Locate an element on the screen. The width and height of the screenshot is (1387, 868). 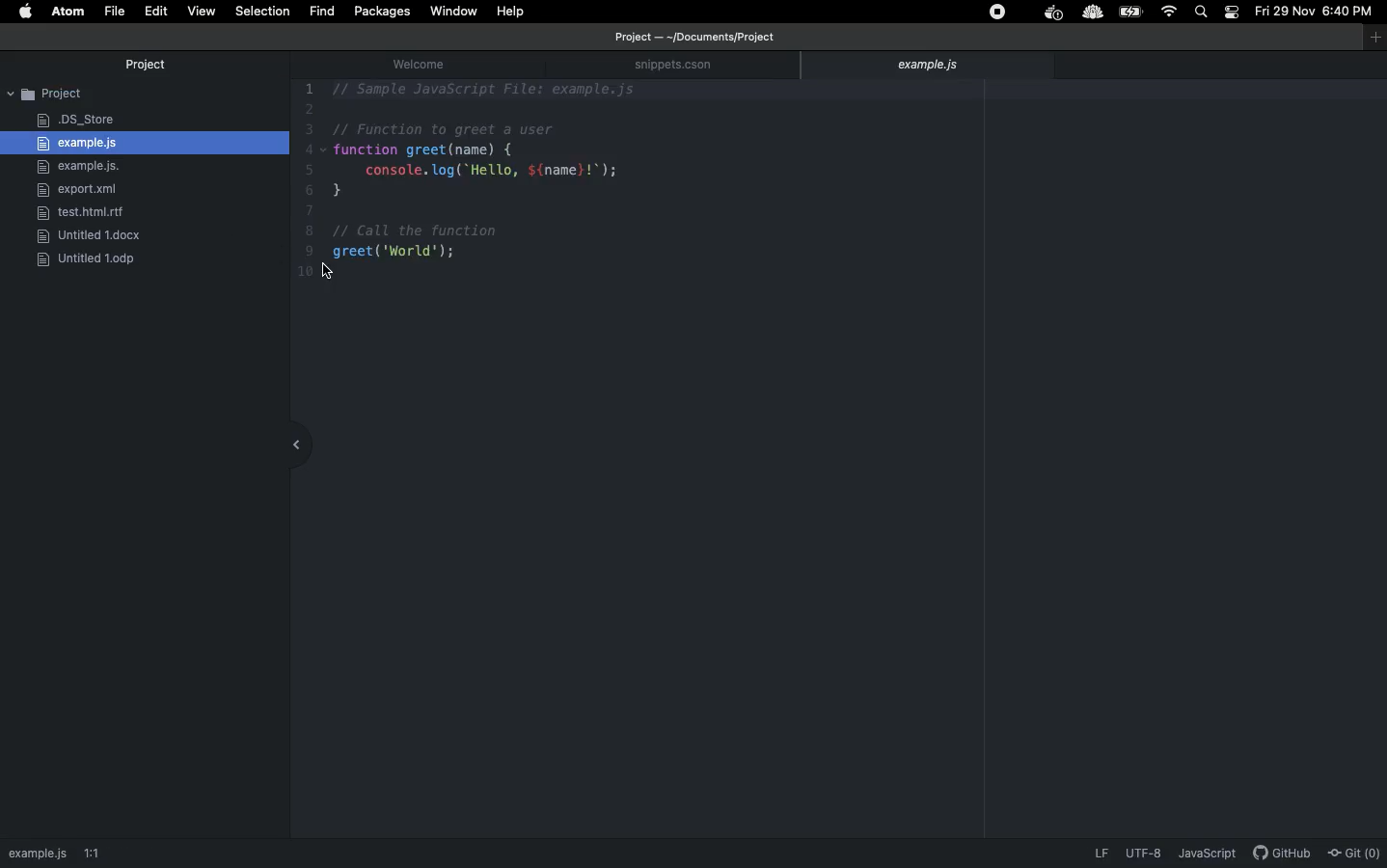
description is located at coordinates (1149, 855).